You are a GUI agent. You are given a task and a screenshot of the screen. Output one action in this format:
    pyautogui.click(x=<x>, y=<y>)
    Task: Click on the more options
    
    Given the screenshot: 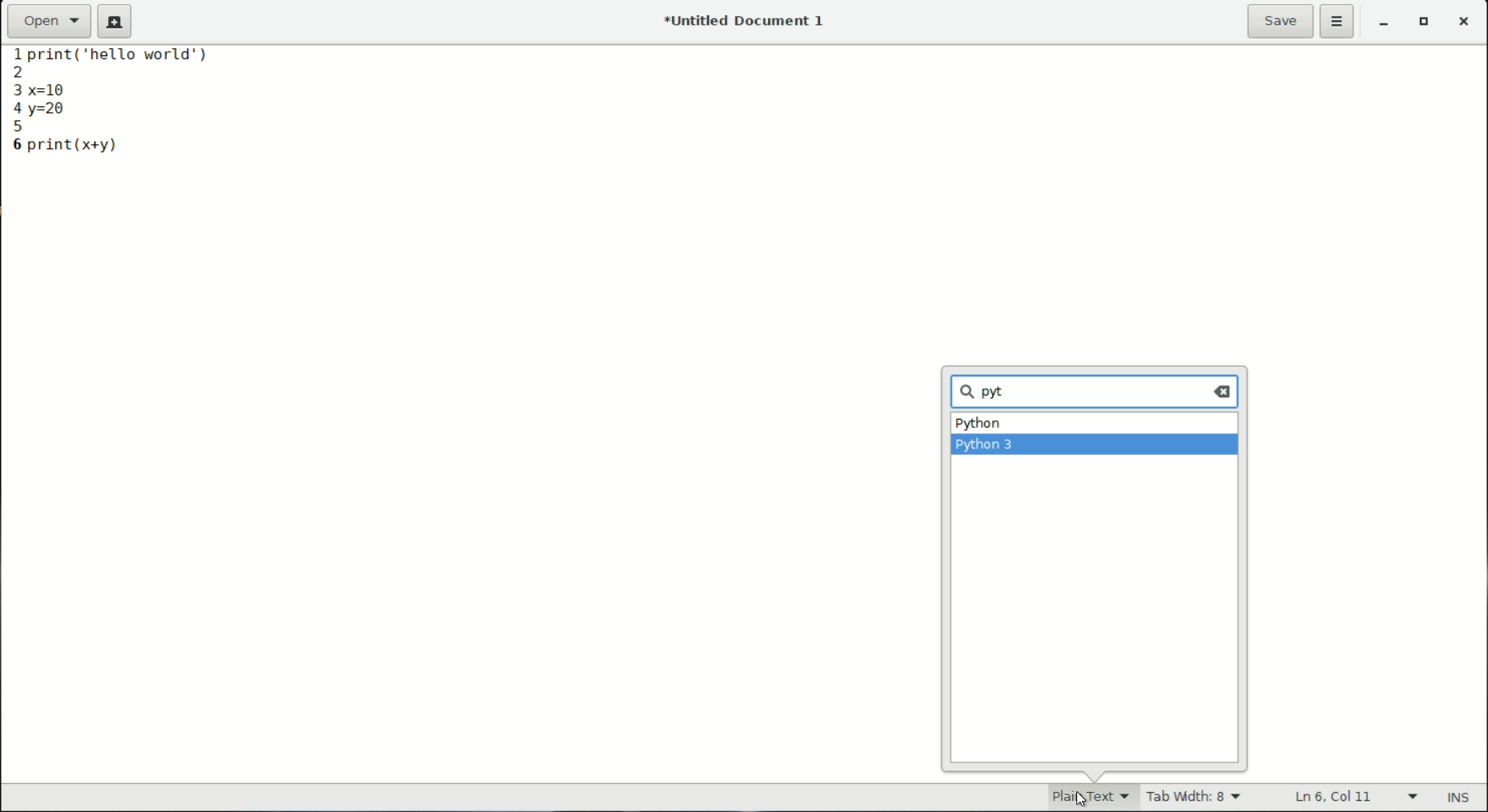 What is the action you would take?
    pyautogui.click(x=1339, y=22)
    